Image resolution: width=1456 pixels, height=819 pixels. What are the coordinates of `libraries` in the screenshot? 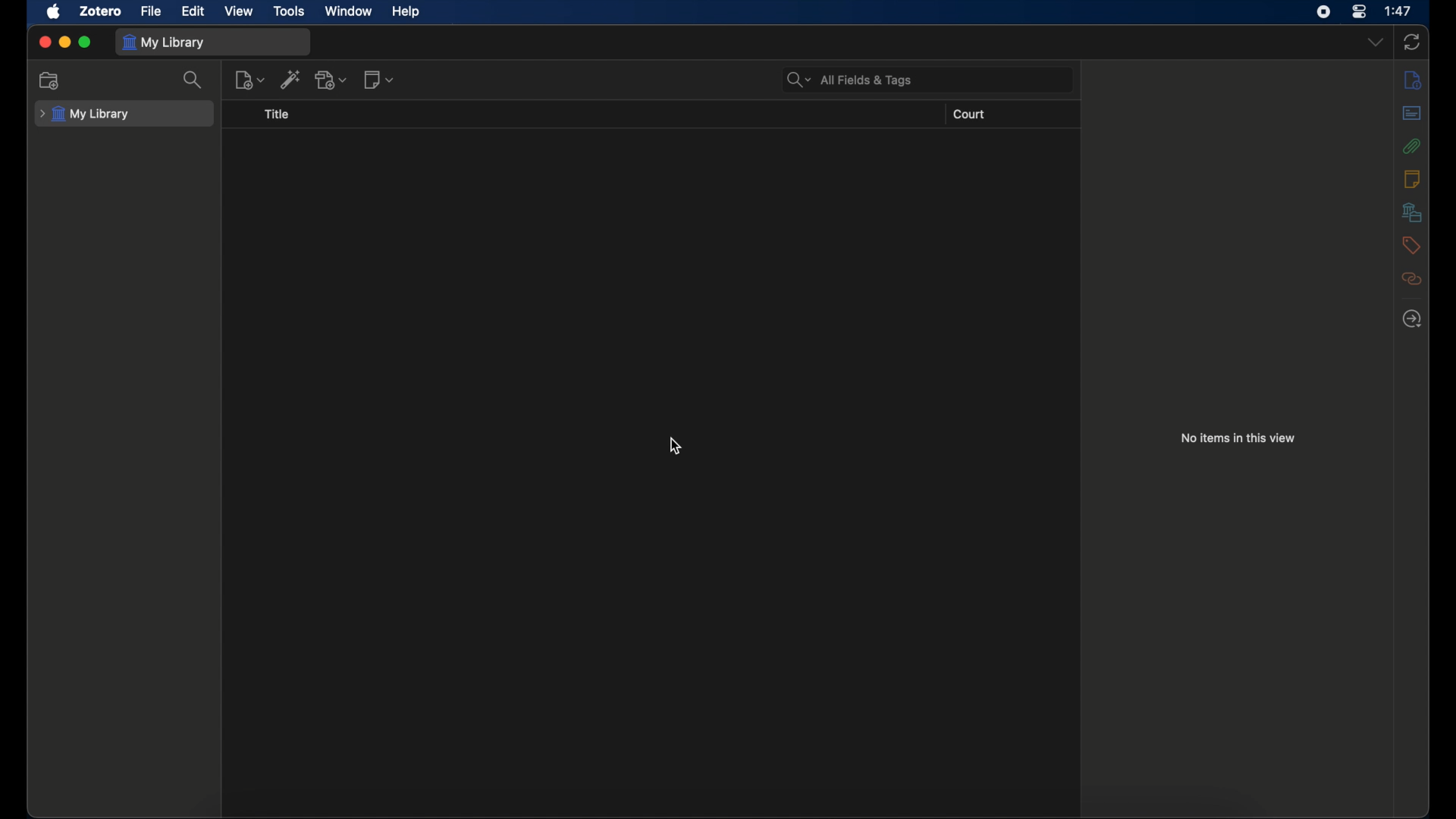 It's located at (1412, 212).